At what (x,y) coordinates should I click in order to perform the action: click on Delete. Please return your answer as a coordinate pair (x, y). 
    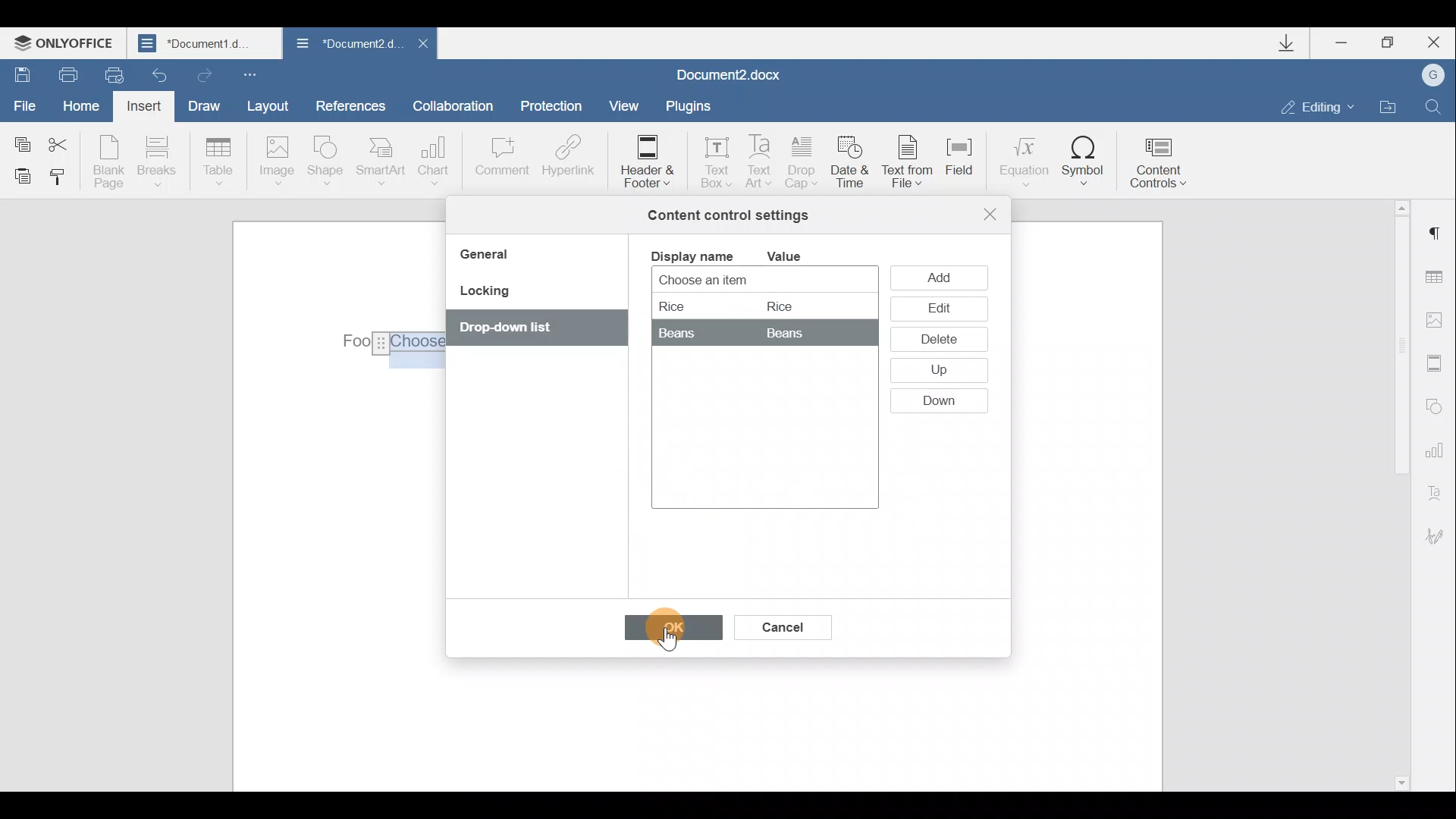
    Looking at the image, I should click on (936, 342).